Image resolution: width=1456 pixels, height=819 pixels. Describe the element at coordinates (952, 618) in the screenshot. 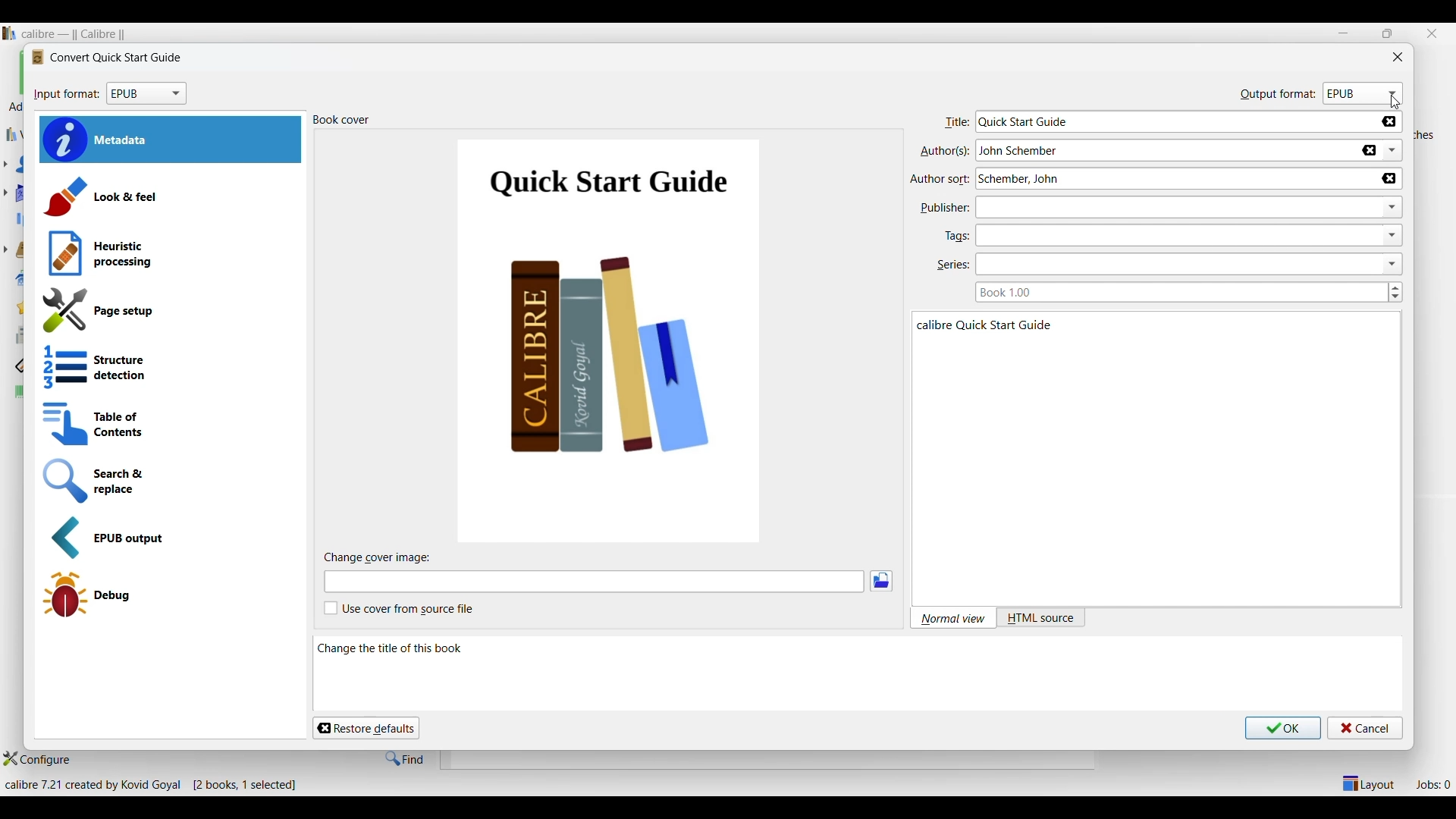

I see `Normal view` at that location.